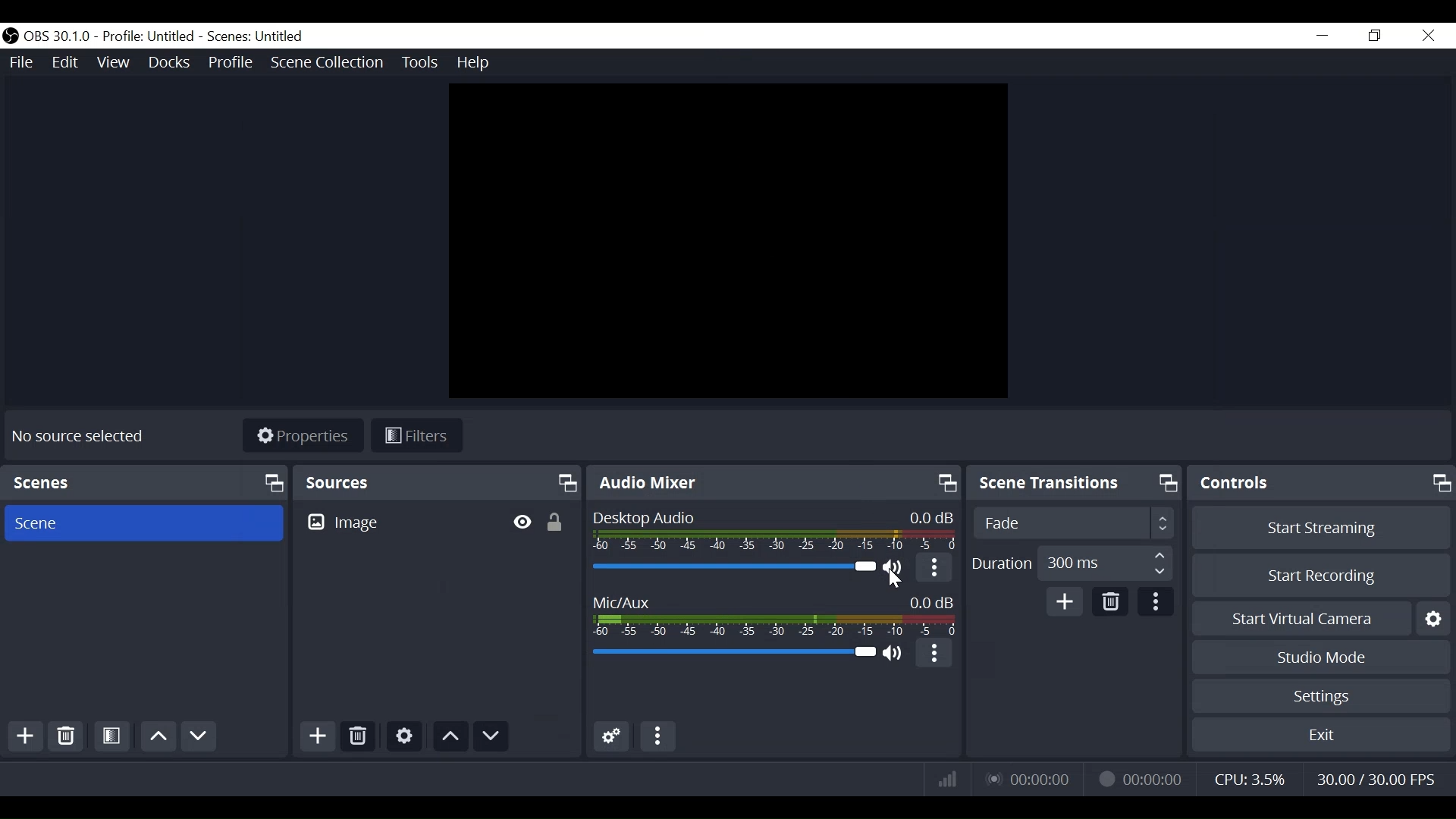 This screenshot has height=819, width=1456. I want to click on Help, so click(475, 63).